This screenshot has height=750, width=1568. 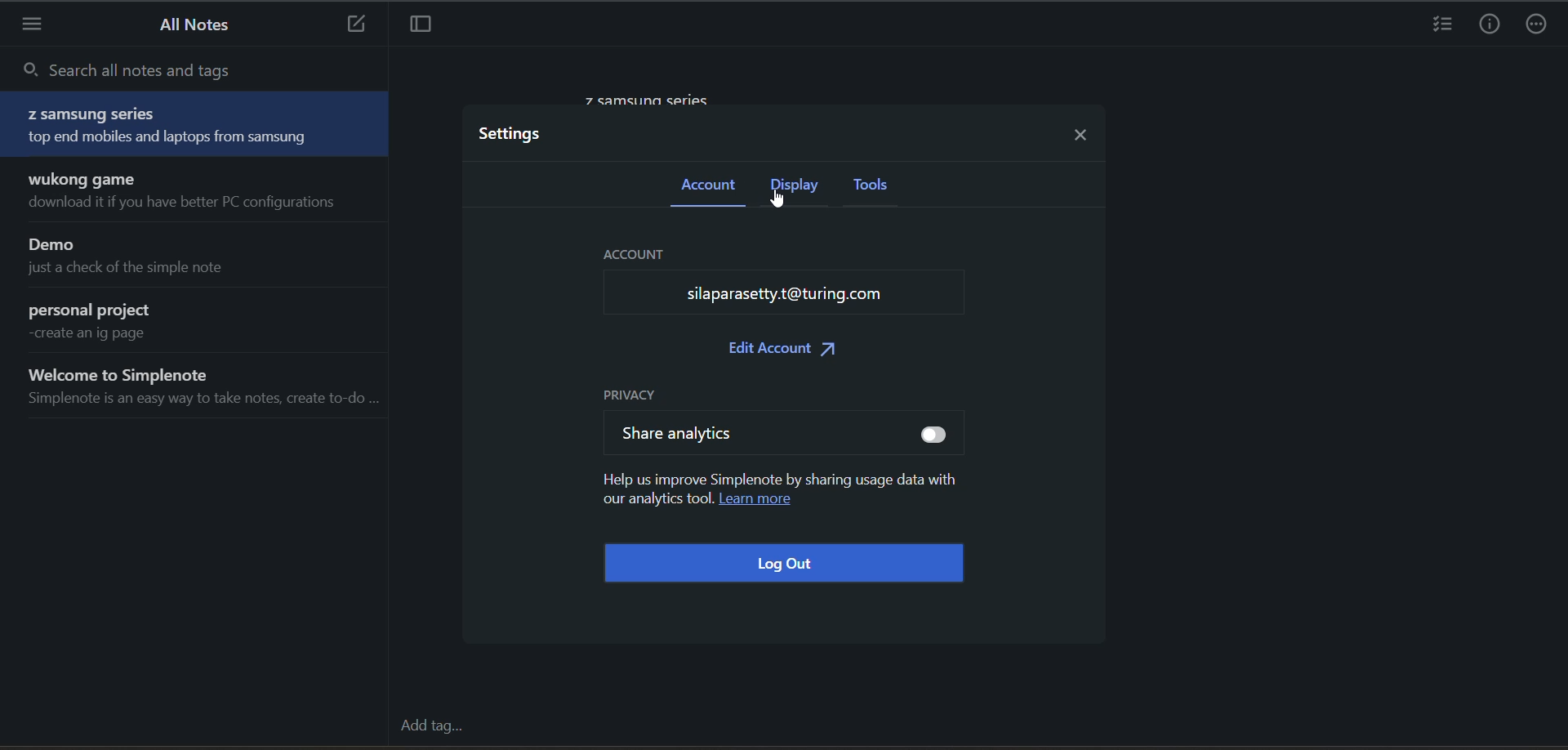 I want to click on close, so click(x=1084, y=132).